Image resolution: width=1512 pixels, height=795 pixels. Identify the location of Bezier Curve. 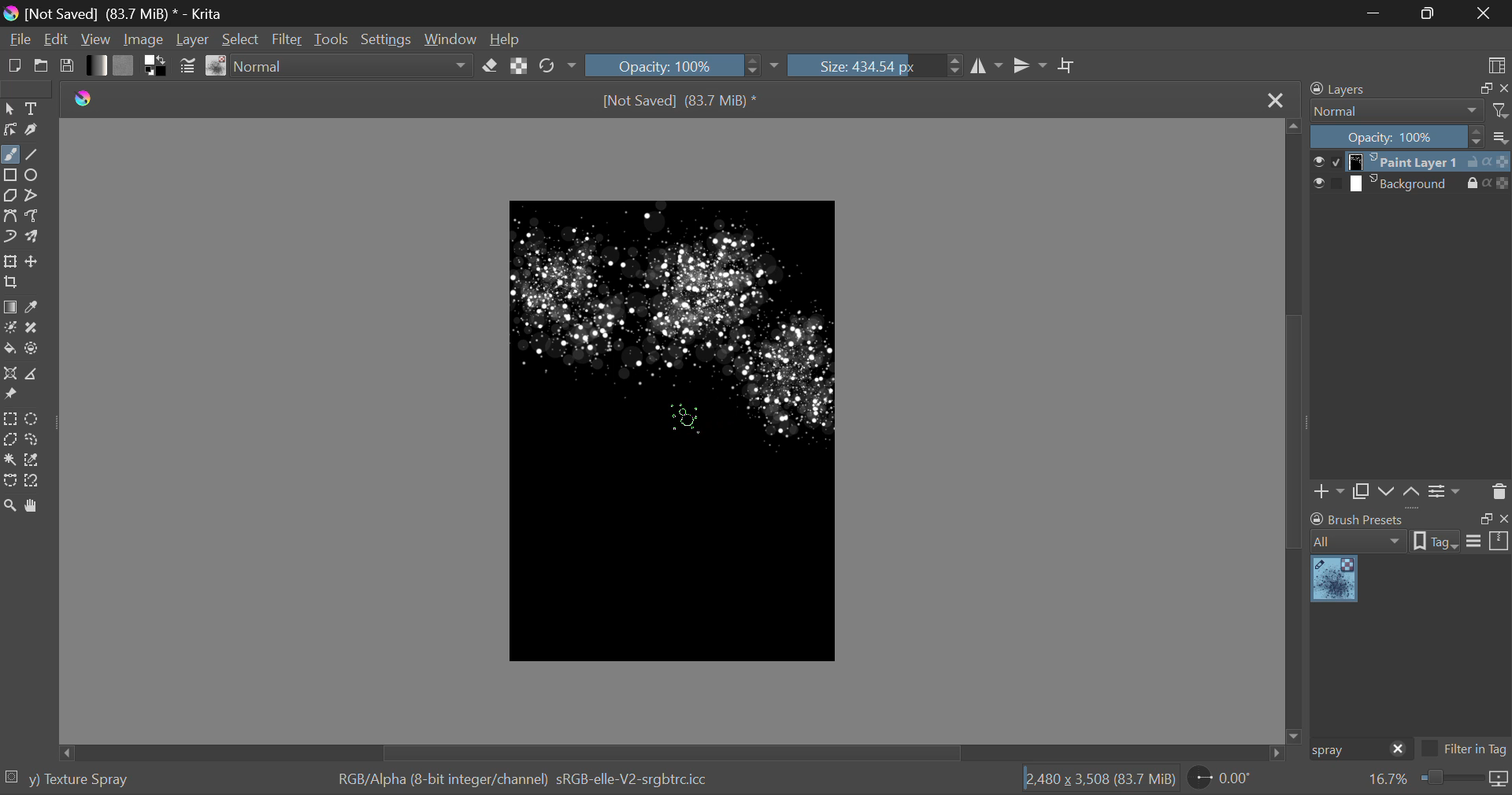
(9, 215).